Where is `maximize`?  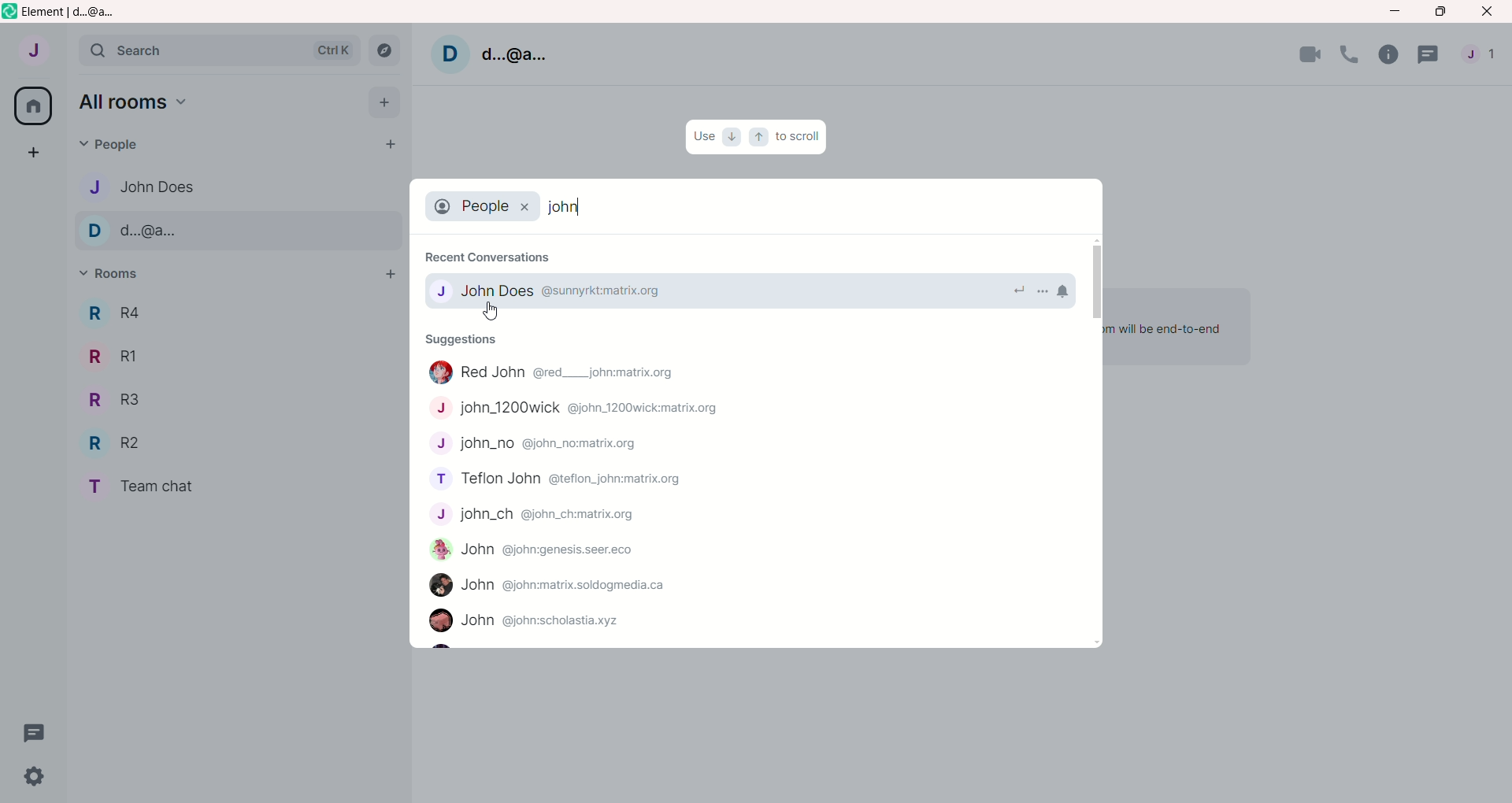 maximize is located at coordinates (1439, 12).